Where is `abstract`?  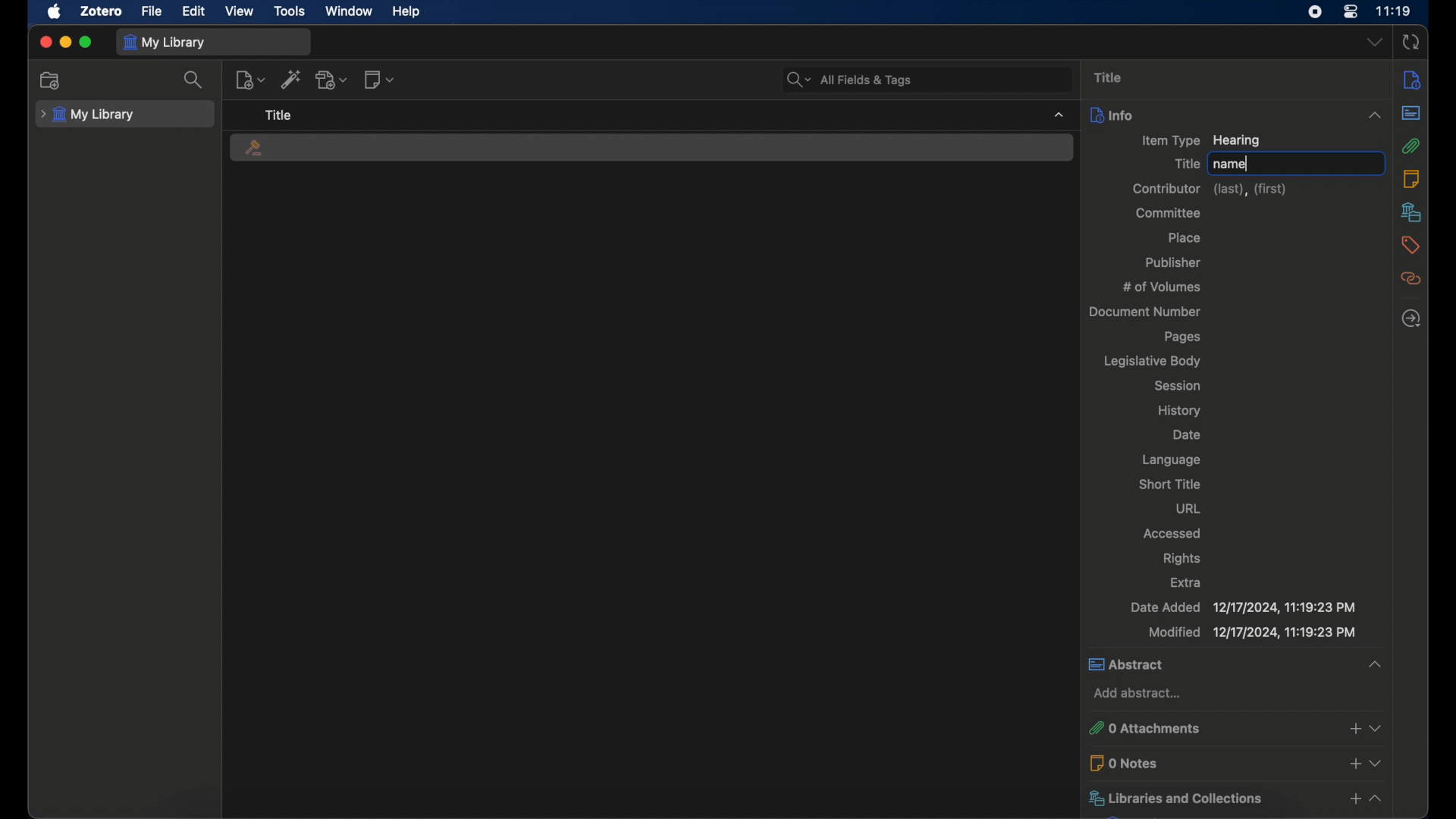
abstract is located at coordinates (1236, 665).